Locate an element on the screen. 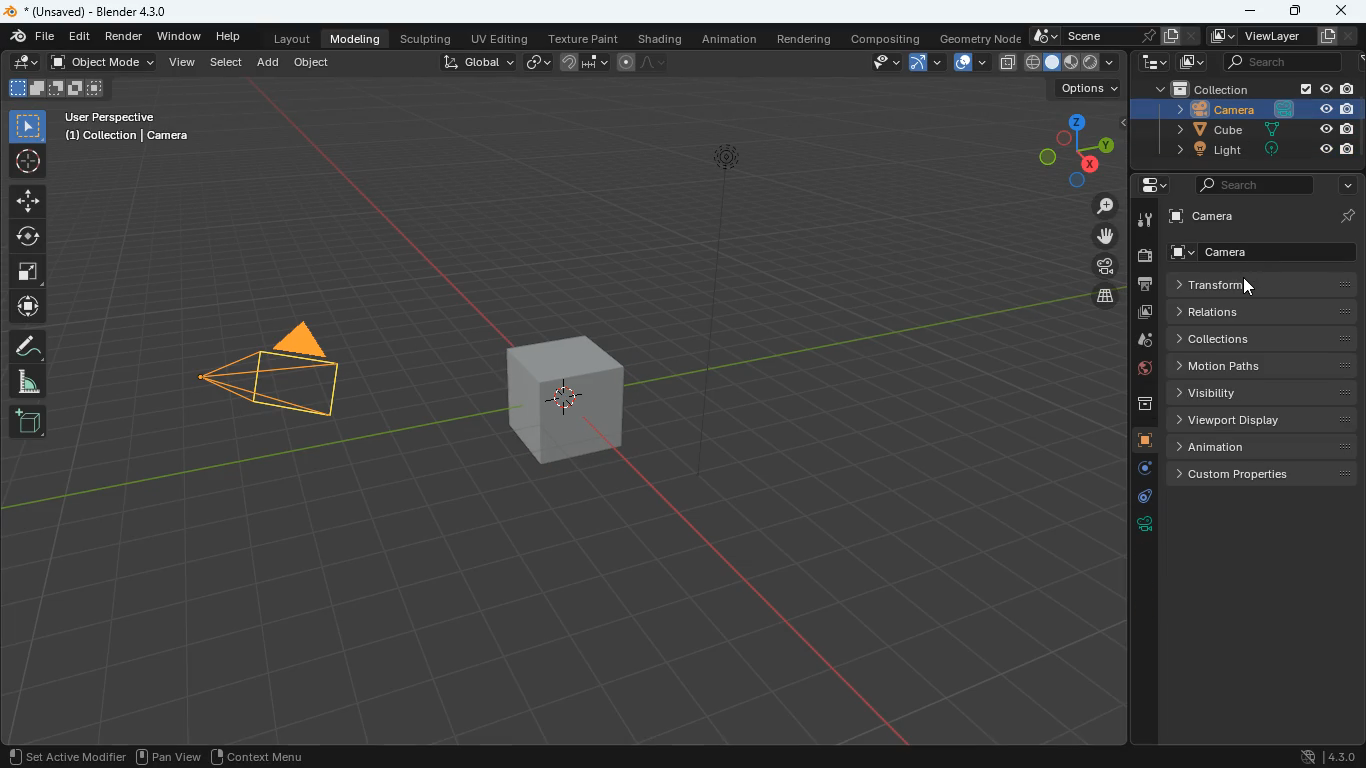 This screenshot has width=1366, height=768. image is located at coordinates (1188, 63).